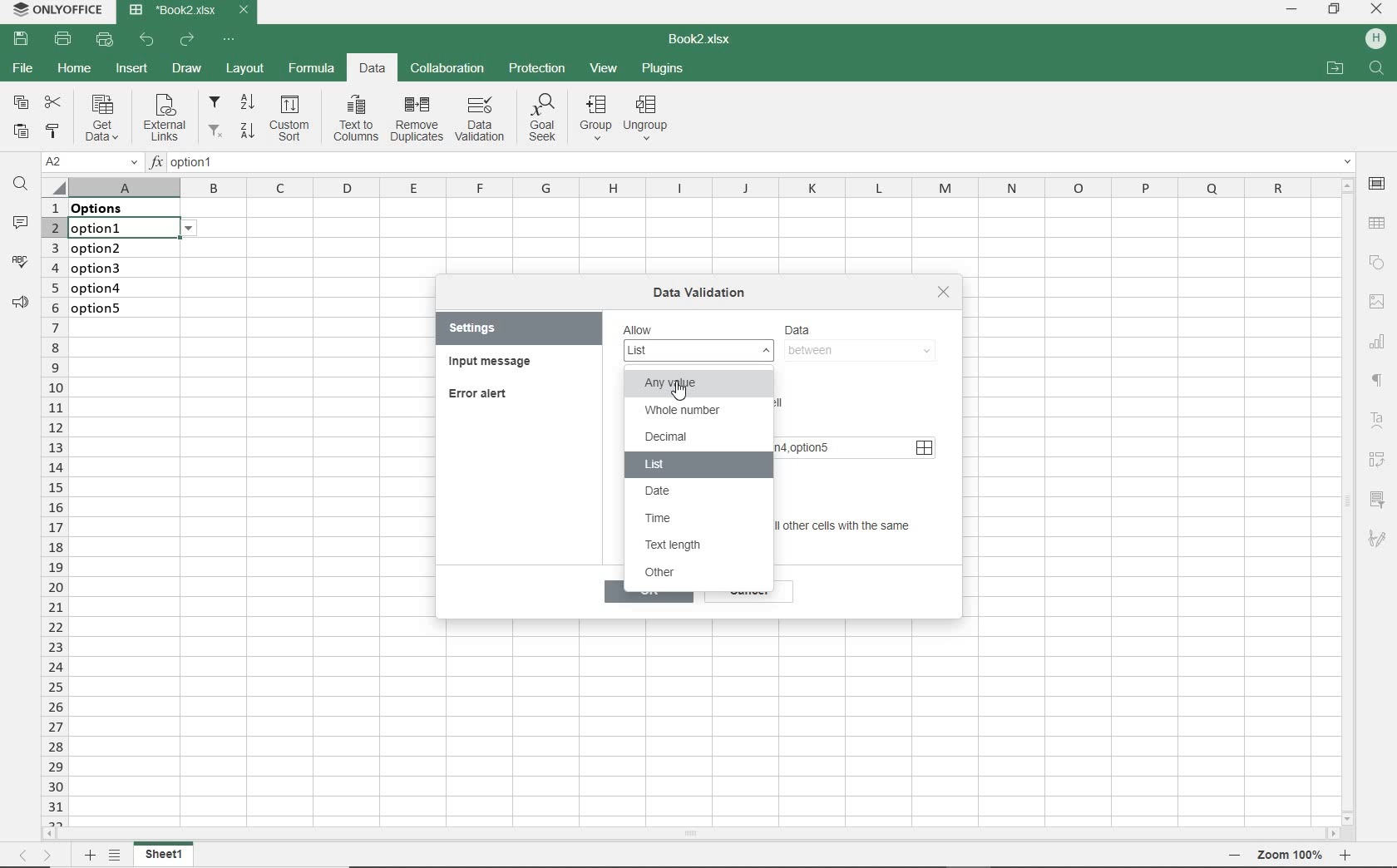  I want to click on between, so click(857, 351).